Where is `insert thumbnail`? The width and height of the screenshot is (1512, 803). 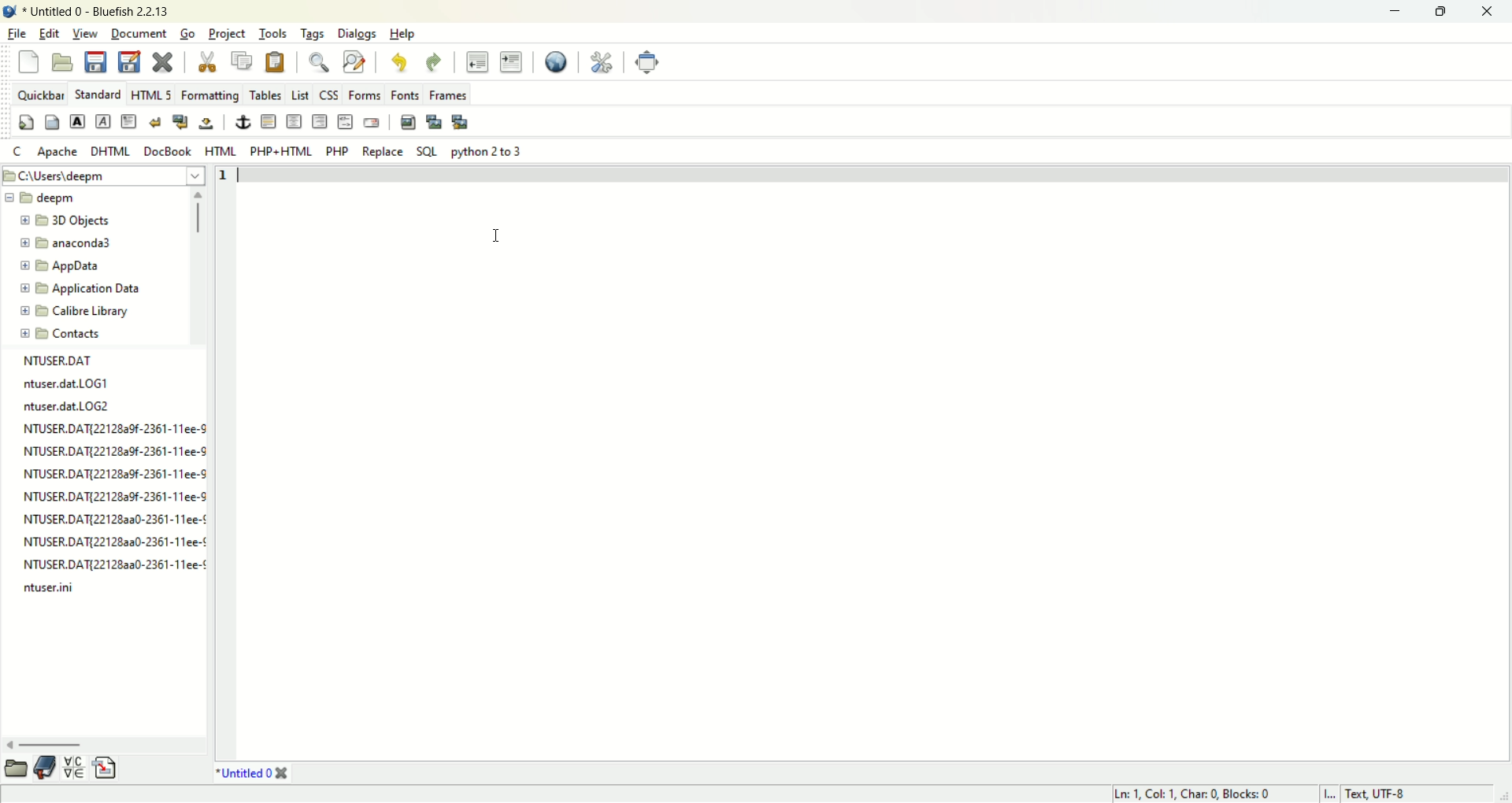
insert thumbnail is located at coordinates (434, 120).